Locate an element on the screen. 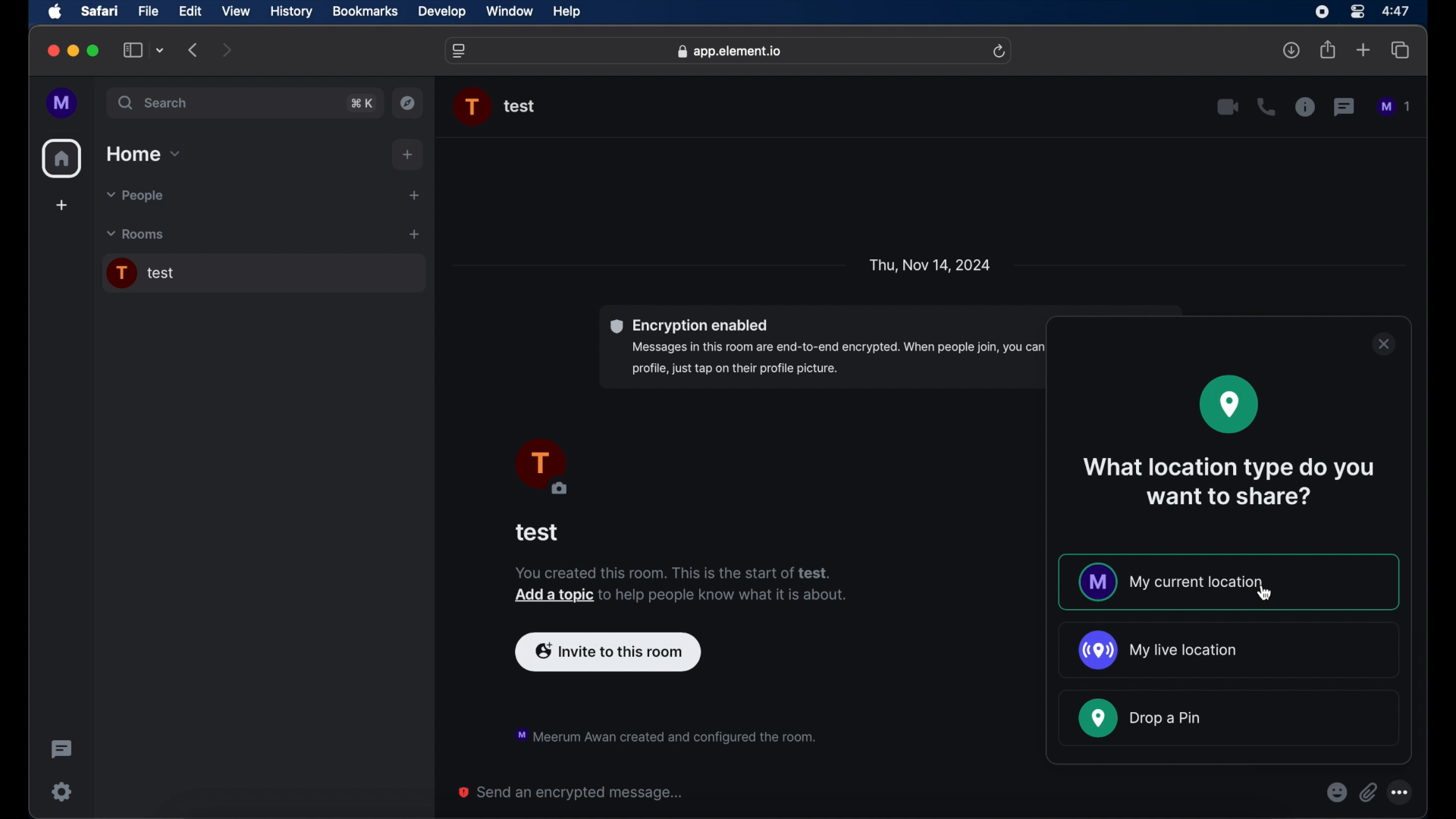 The width and height of the screenshot is (1456, 819). downloads is located at coordinates (1293, 51).